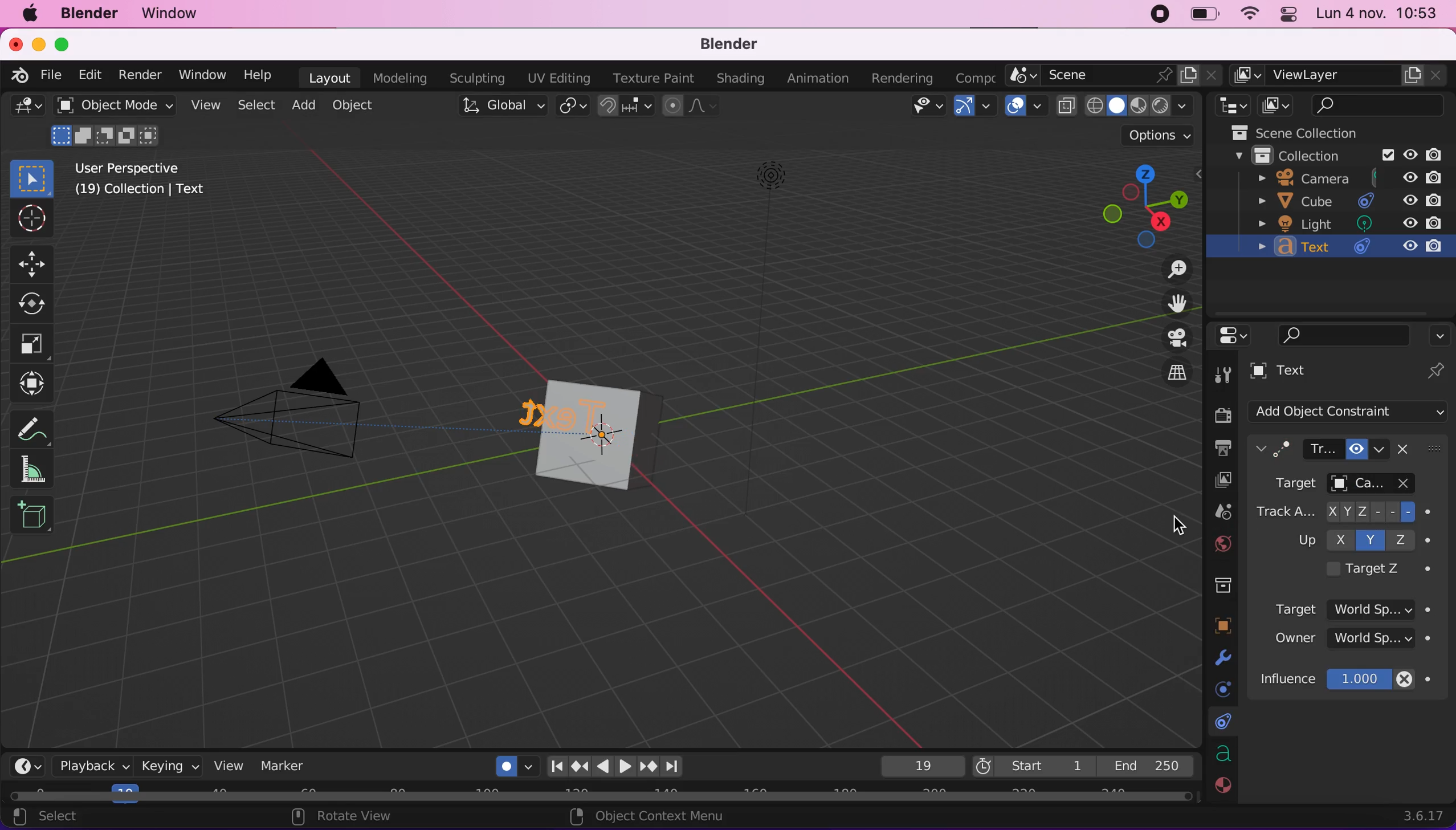 This screenshot has height=830, width=1456. Describe the element at coordinates (1436, 370) in the screenshot. I see `pin` at that location.